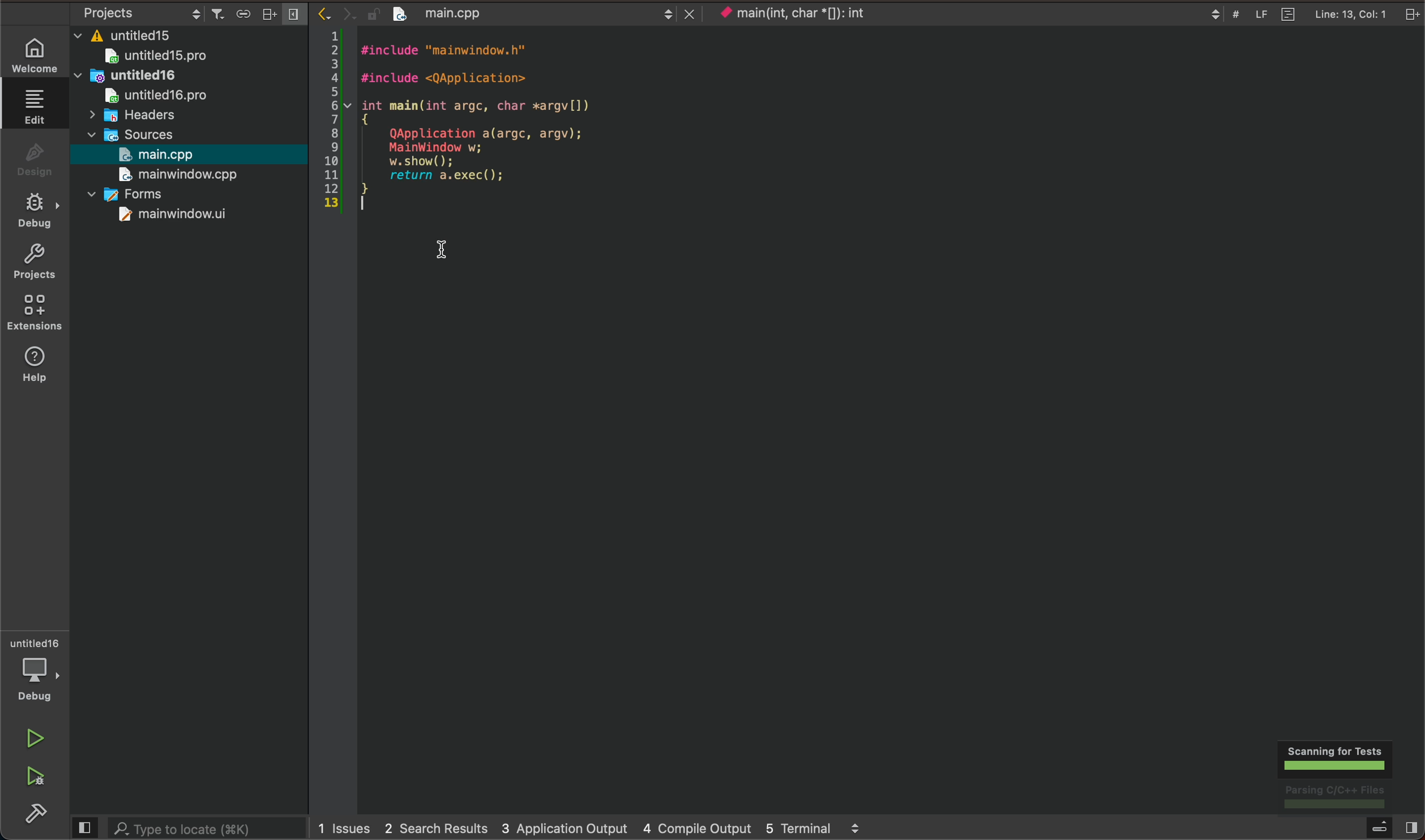 This screenshot has height=840, width=1425. What do you see at coordinates (144, 114) in the screenshot?
I see `headers` at bounding box center [144, 114].